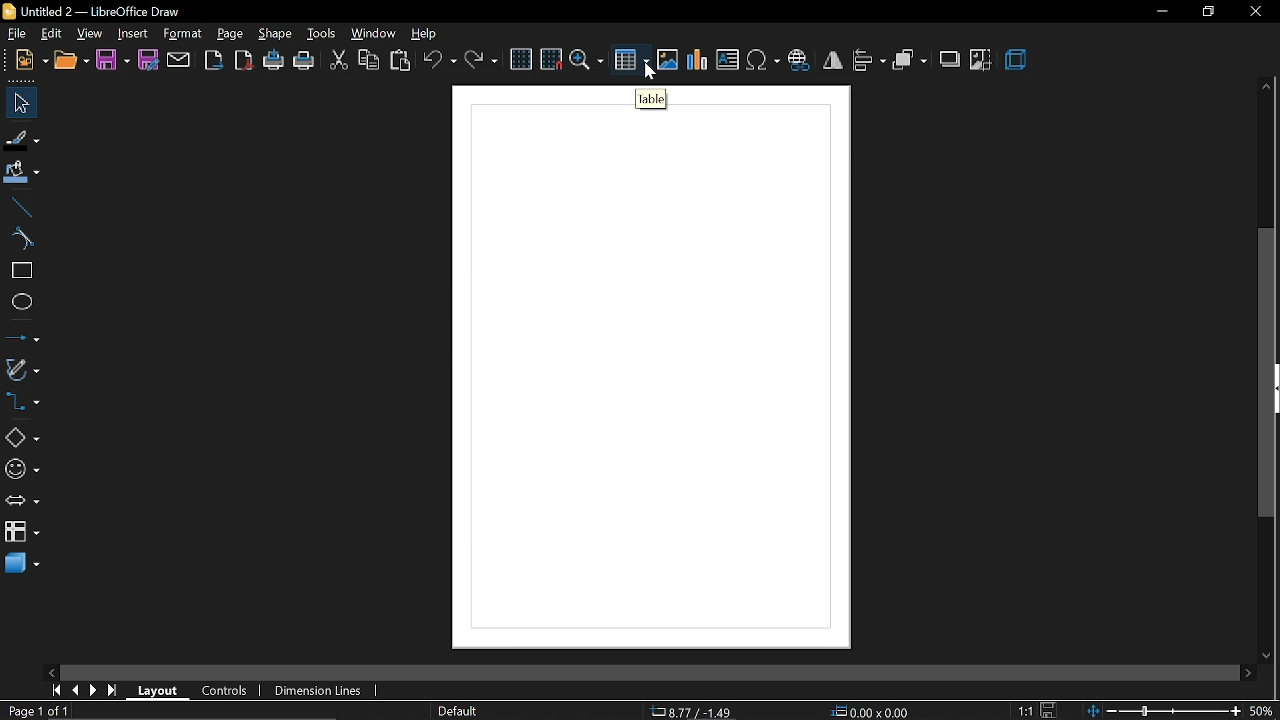  I want to click on curve, so click(22, 239).